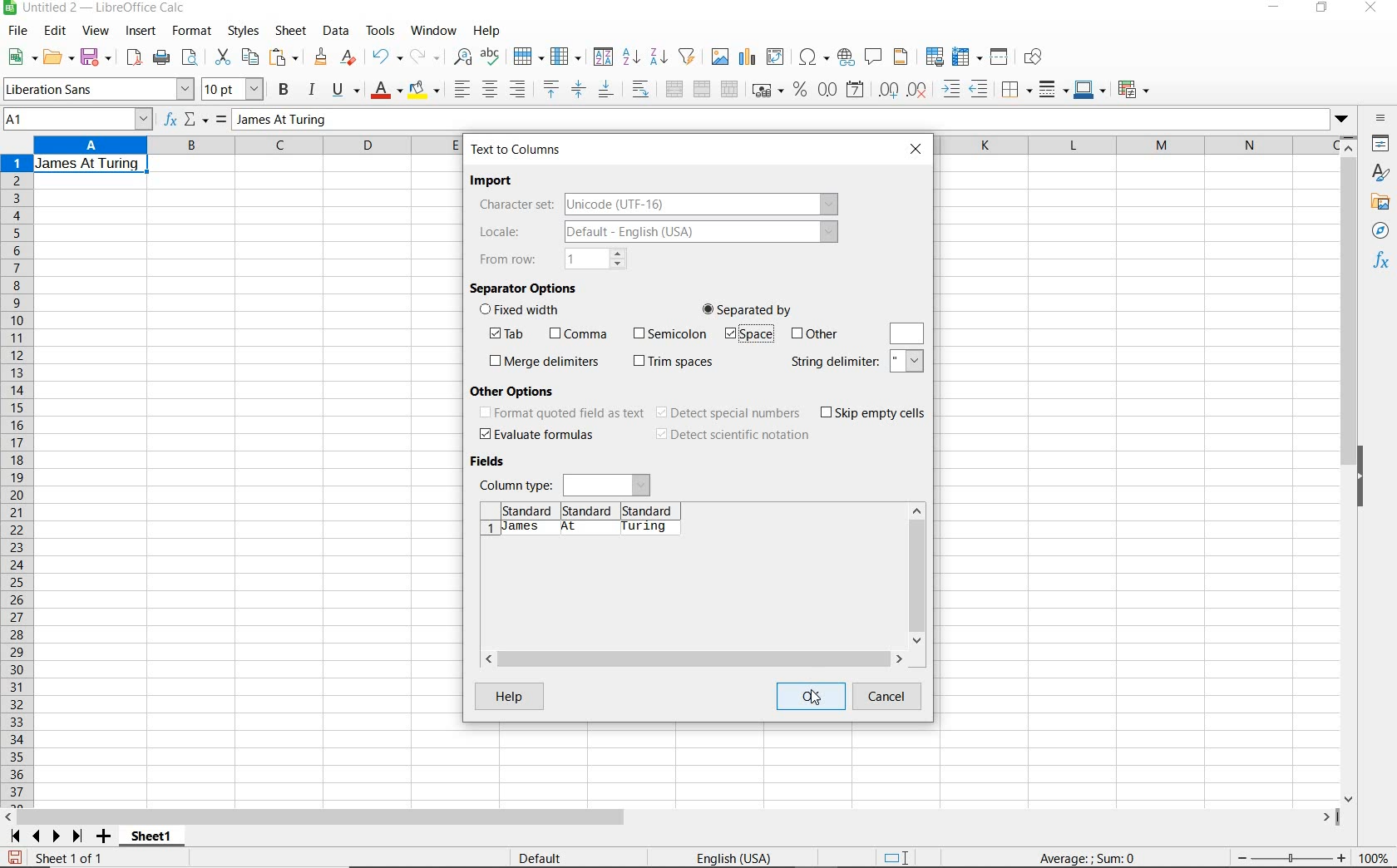  I want to click on minimize, so click(1273, 9).